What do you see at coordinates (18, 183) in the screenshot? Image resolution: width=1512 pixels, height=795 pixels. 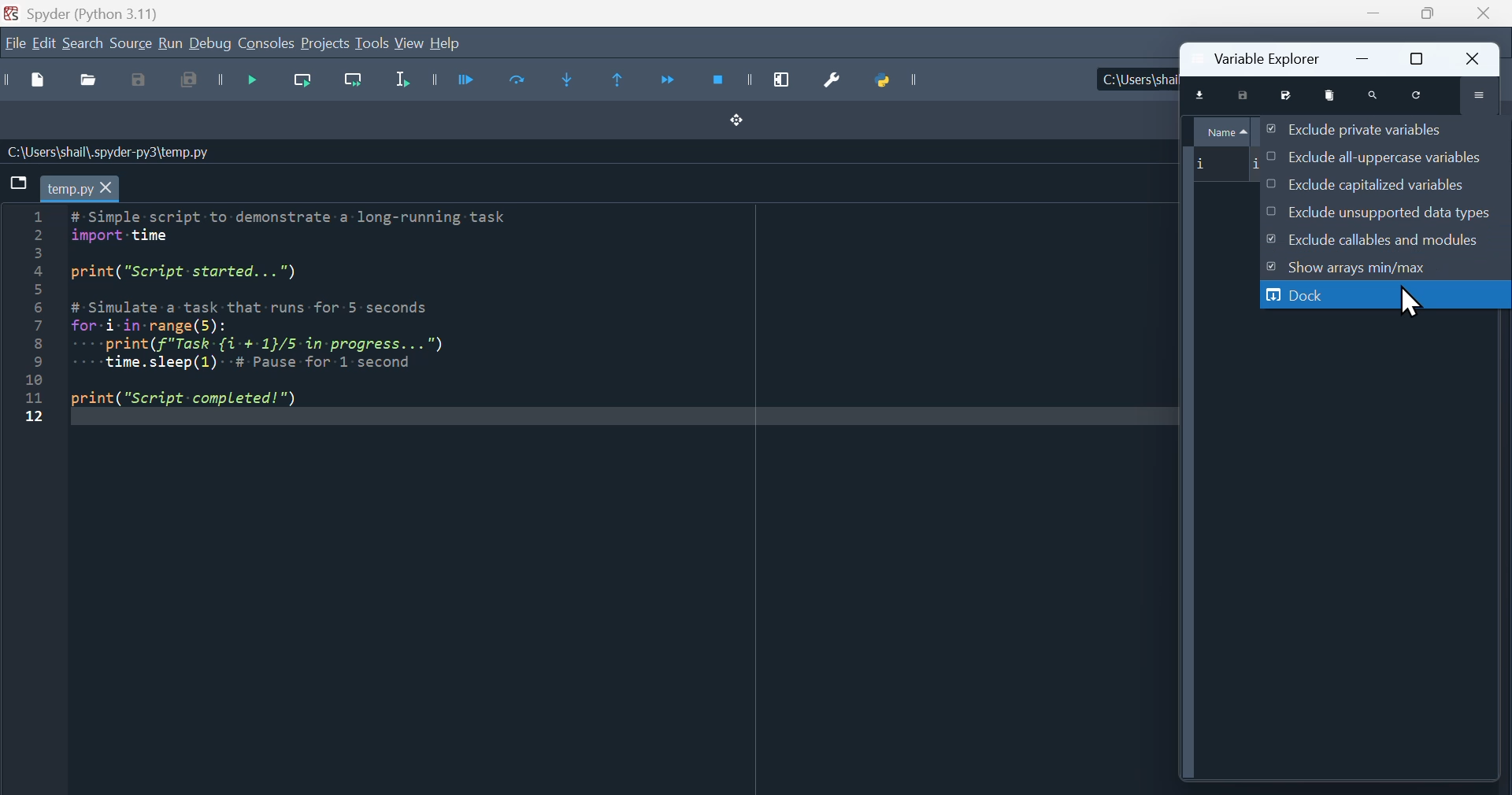 I see `browse tabs` at bounding box center [18, 183].